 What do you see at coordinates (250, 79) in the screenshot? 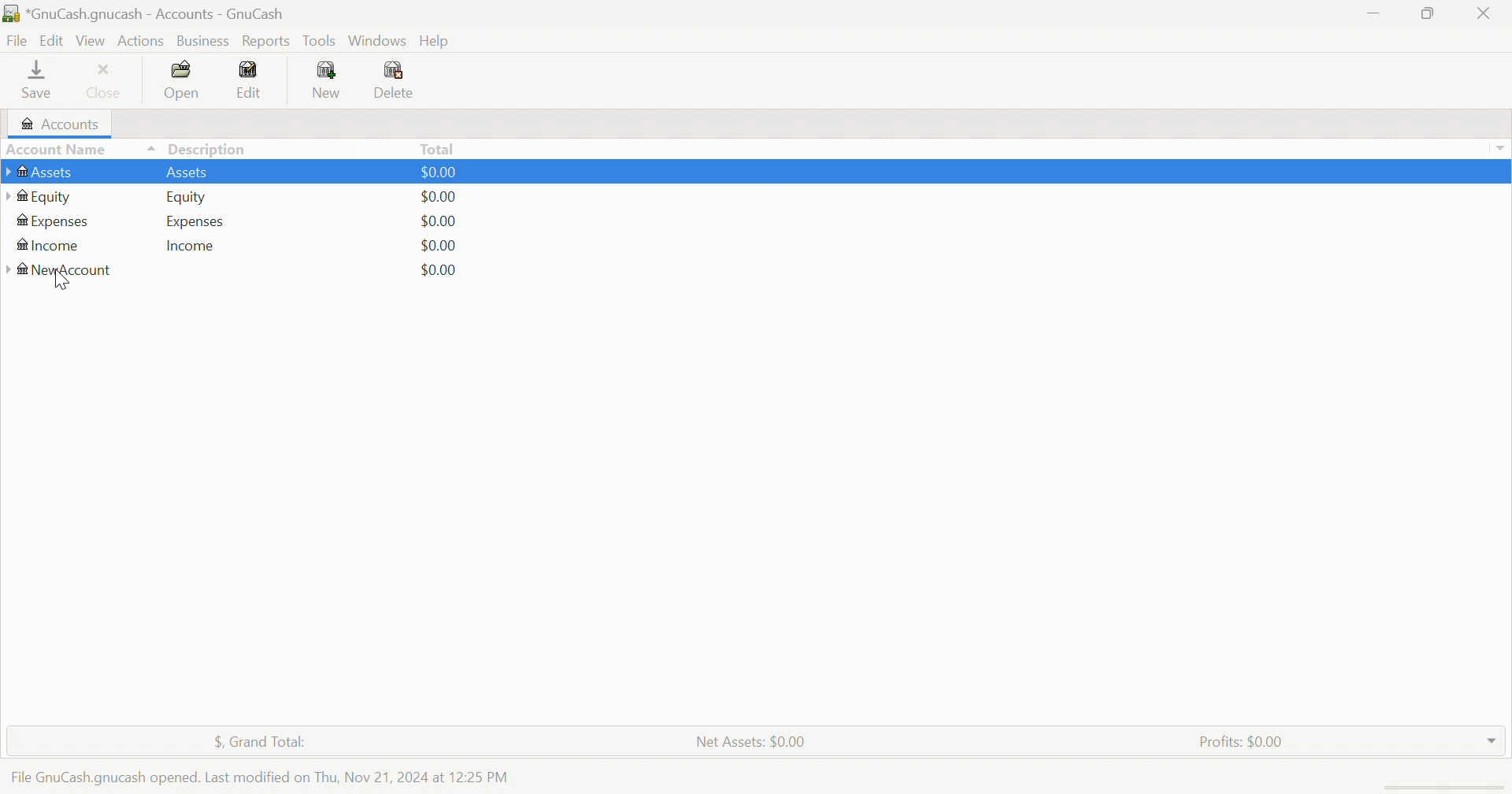
I see `Edit` at bounding box center [250, 79].